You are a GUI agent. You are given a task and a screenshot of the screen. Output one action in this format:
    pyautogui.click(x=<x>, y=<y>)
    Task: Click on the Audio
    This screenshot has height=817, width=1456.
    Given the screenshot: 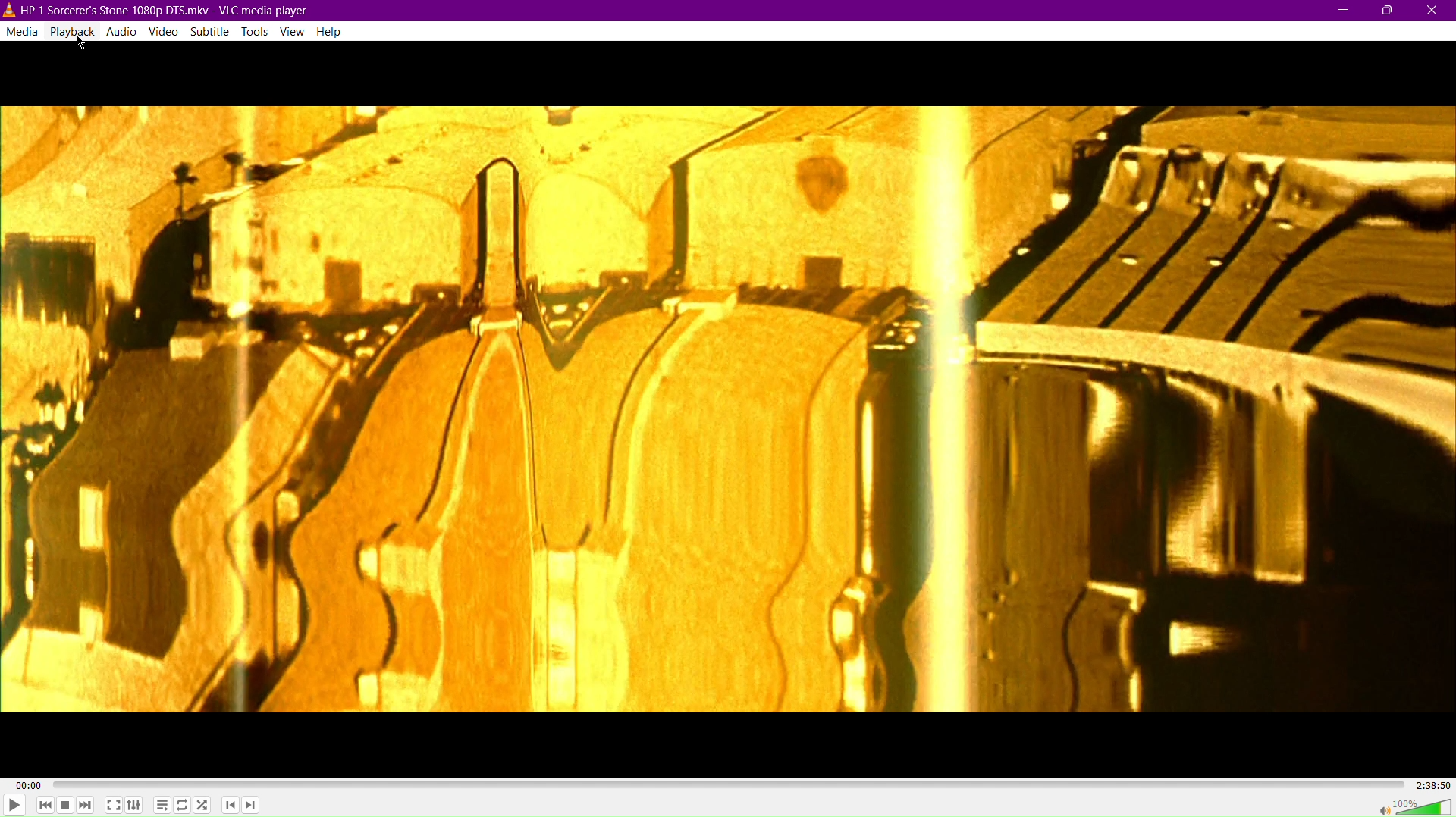 What is the action you would take?
    pyautogui.click(x=124, y=30)
    